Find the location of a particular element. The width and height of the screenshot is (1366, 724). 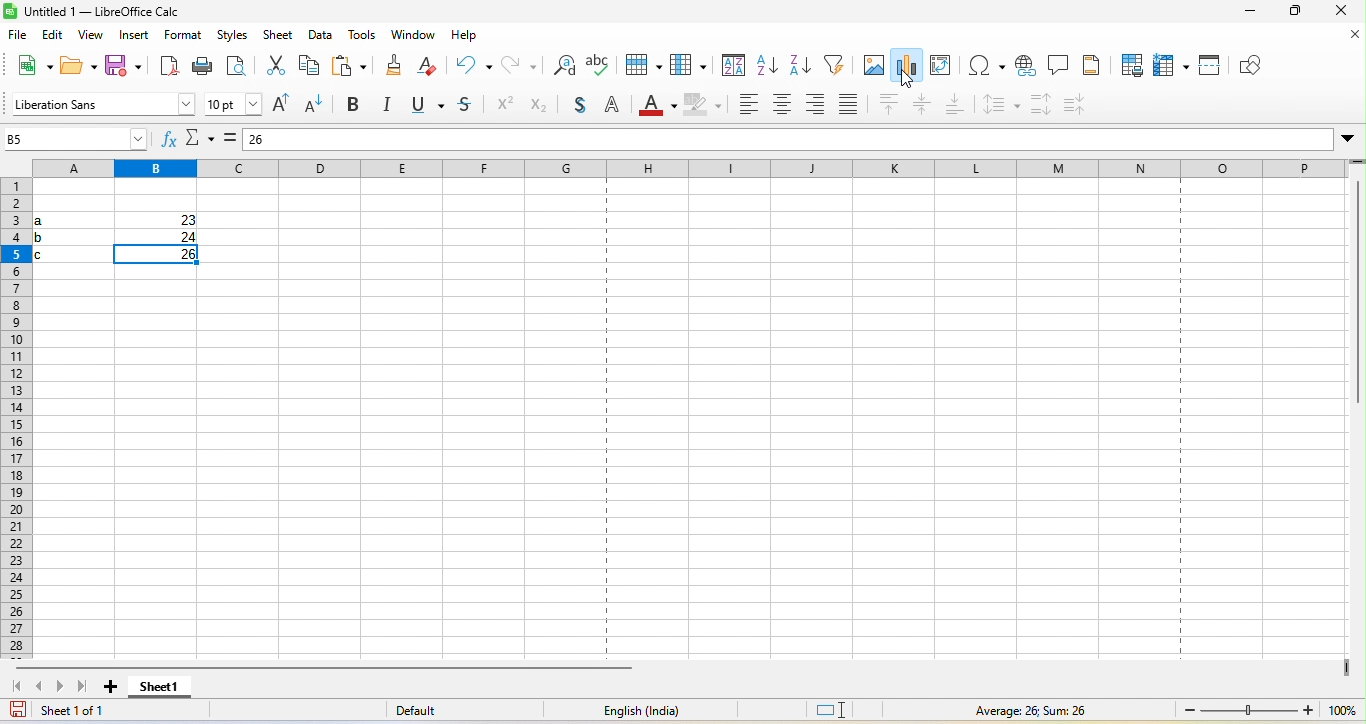

title is located at coordinates (96, 12).